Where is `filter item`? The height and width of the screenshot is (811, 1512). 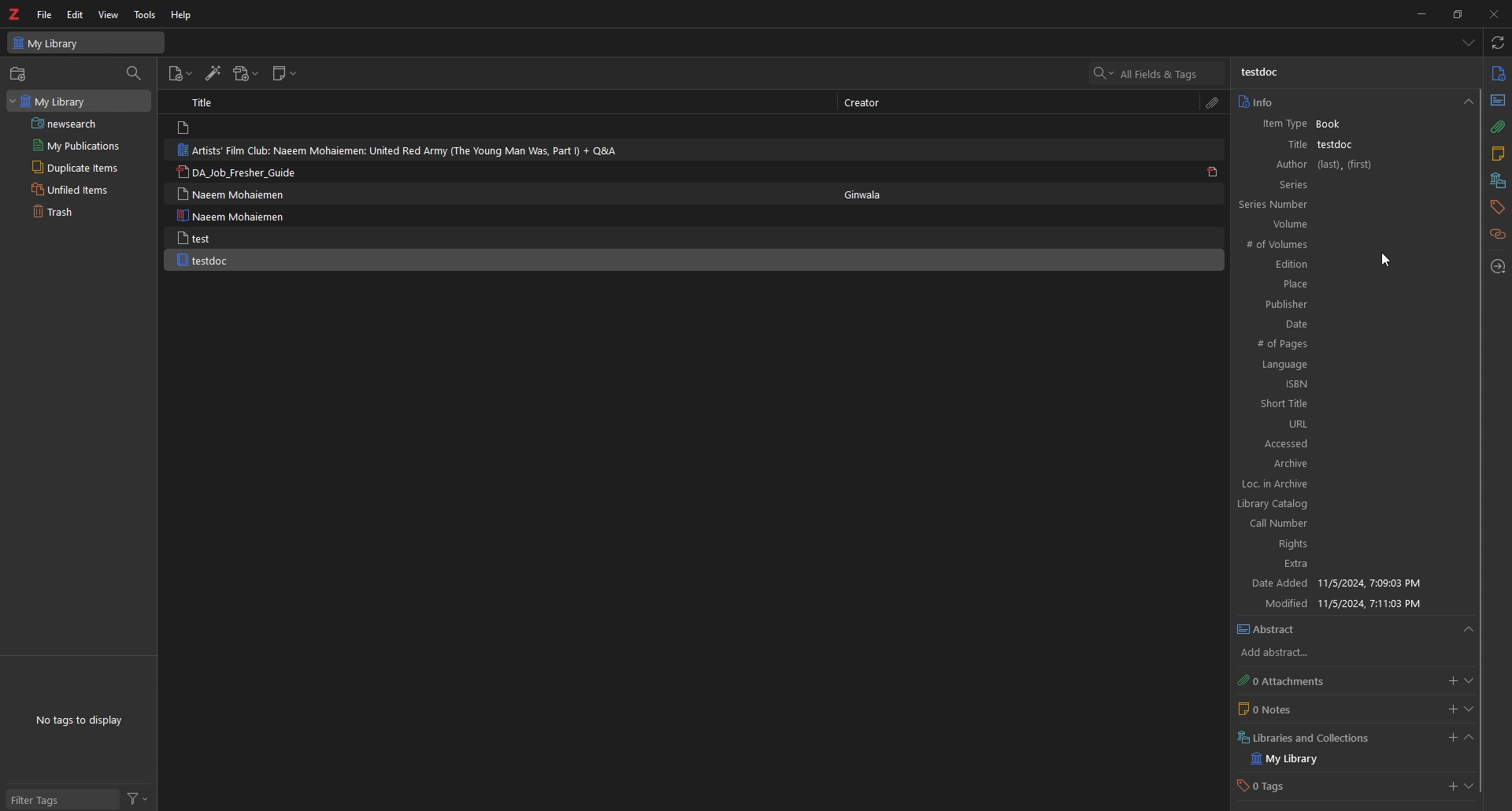
filter item is located at coordinates (135, 74).